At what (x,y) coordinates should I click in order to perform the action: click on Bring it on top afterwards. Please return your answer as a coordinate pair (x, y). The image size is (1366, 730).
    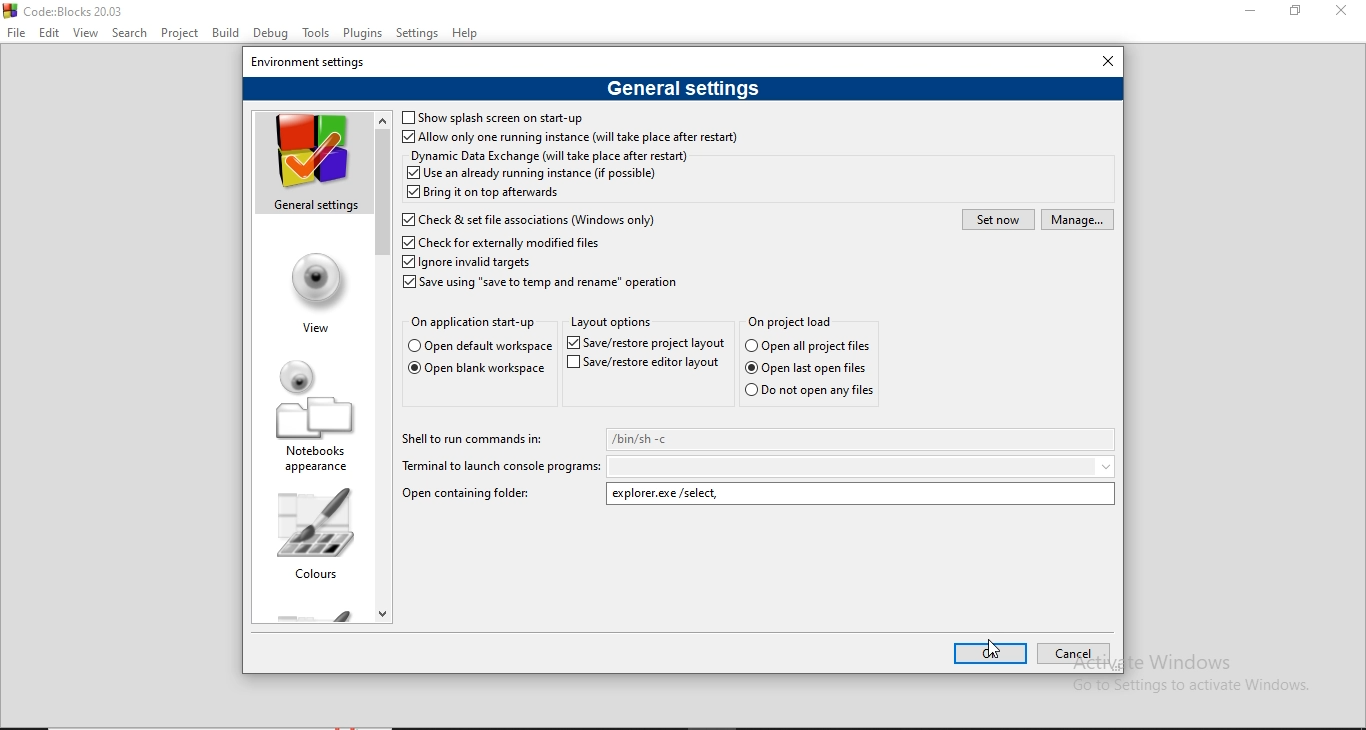
    Looking at the image, I should click on (484, 194).